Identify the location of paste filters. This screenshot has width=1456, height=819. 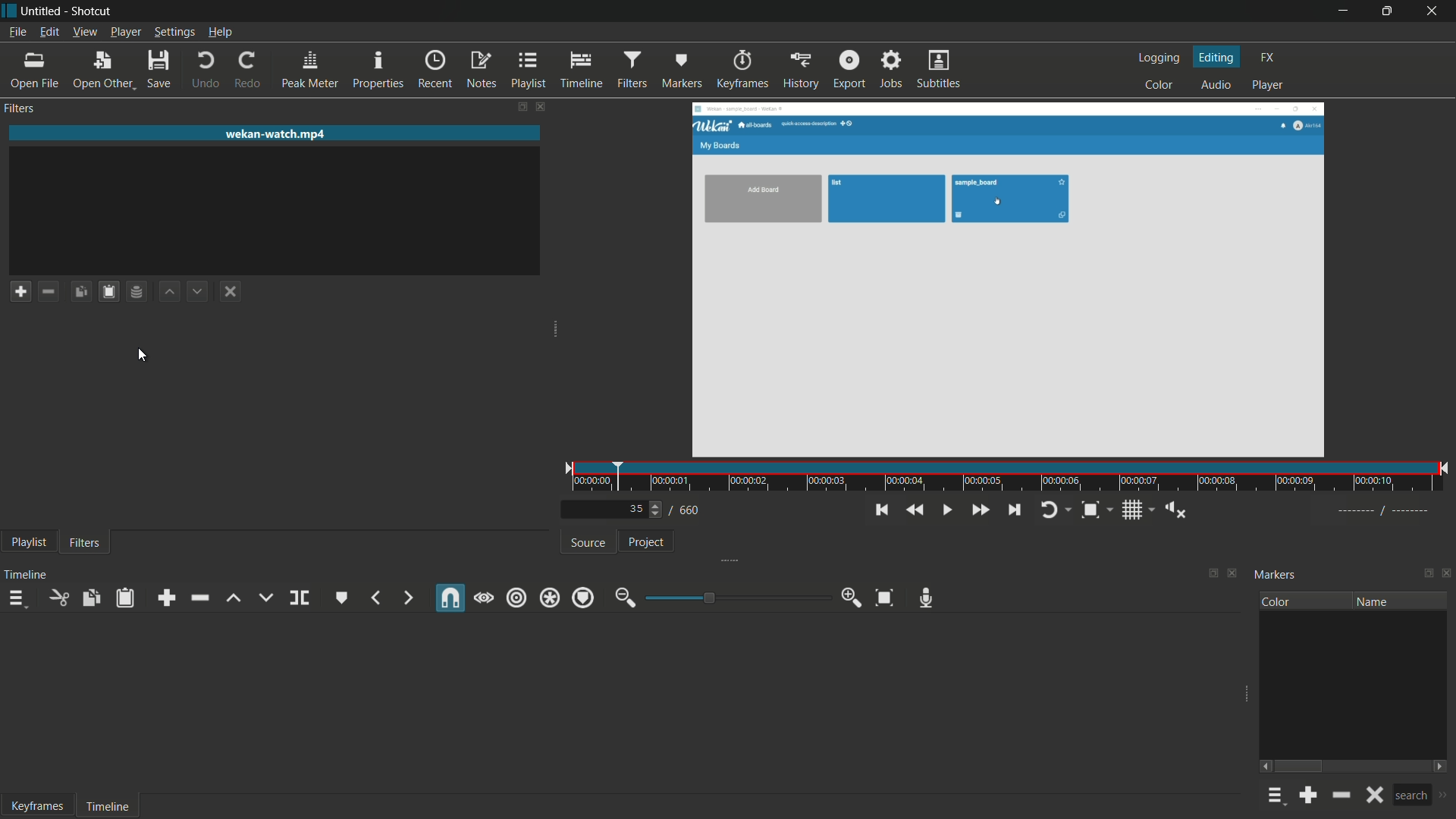
(109, 292).